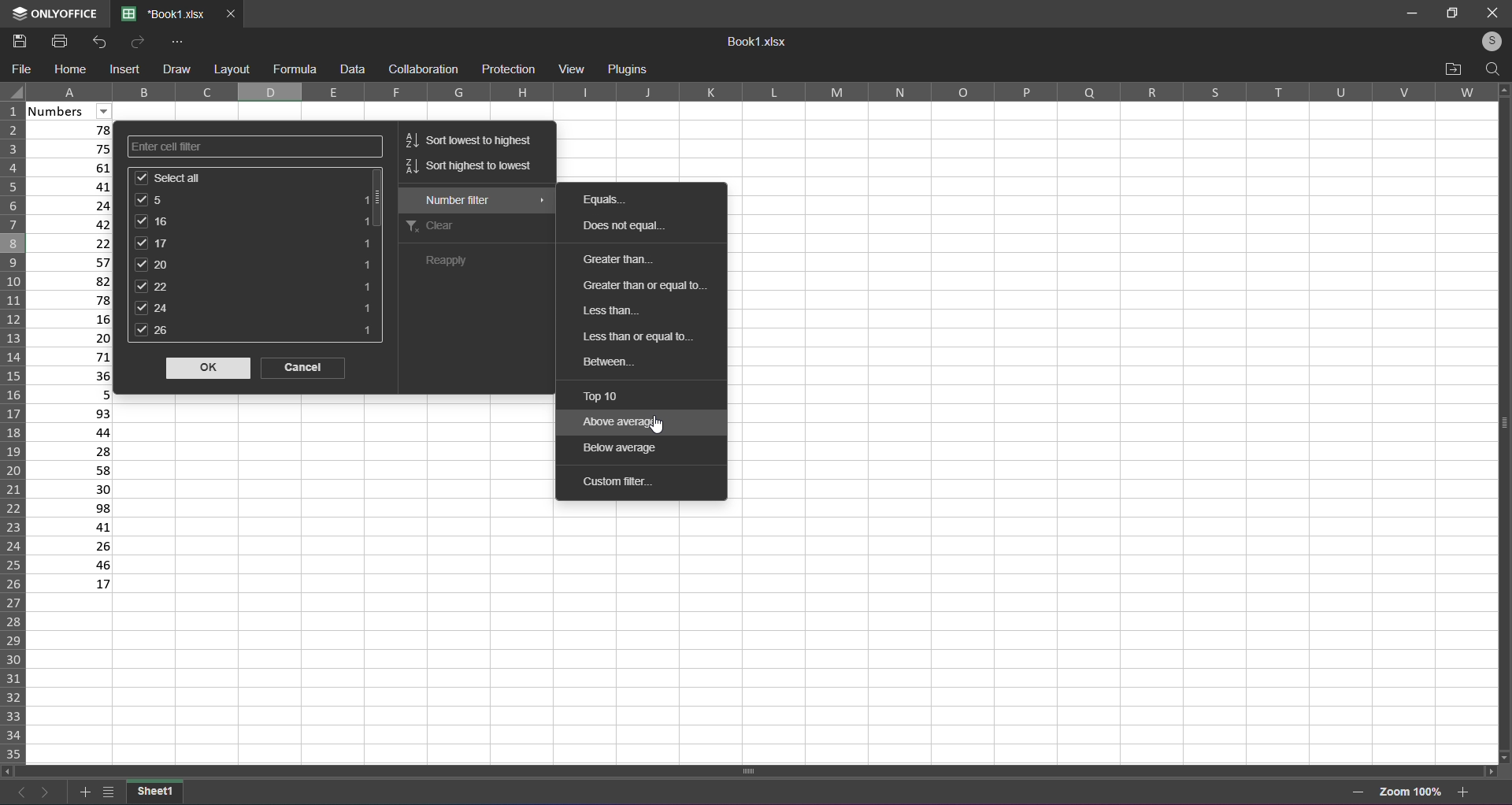 This screenshot has width=1512, height=805. What do you see at coordinates (71, 547) in the screenshot?
I see `26` at bounding box center [71, 547].